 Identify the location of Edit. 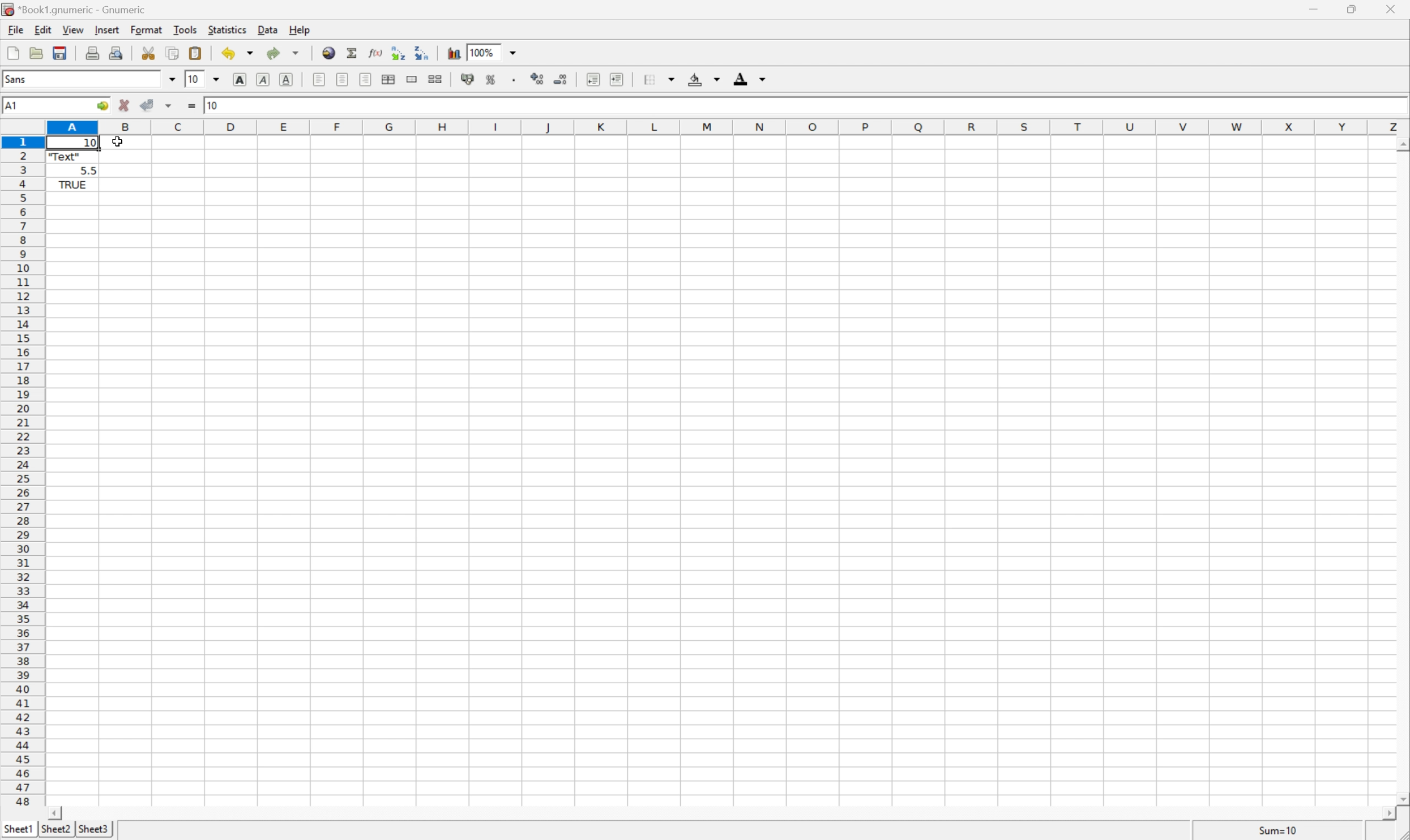
(42, 29).